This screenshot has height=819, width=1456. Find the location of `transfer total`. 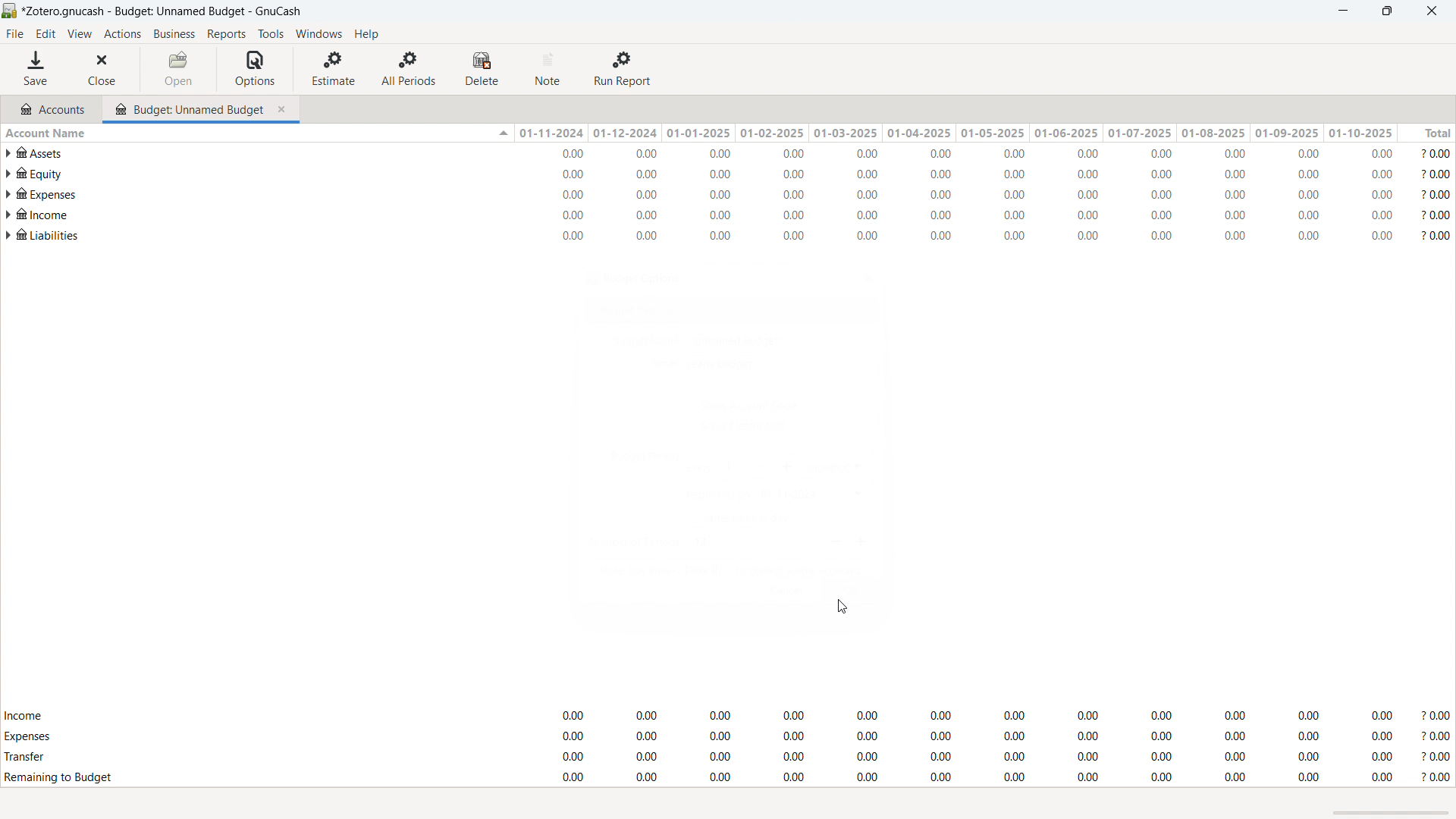

transfer total is located at coordinates (728, 756).